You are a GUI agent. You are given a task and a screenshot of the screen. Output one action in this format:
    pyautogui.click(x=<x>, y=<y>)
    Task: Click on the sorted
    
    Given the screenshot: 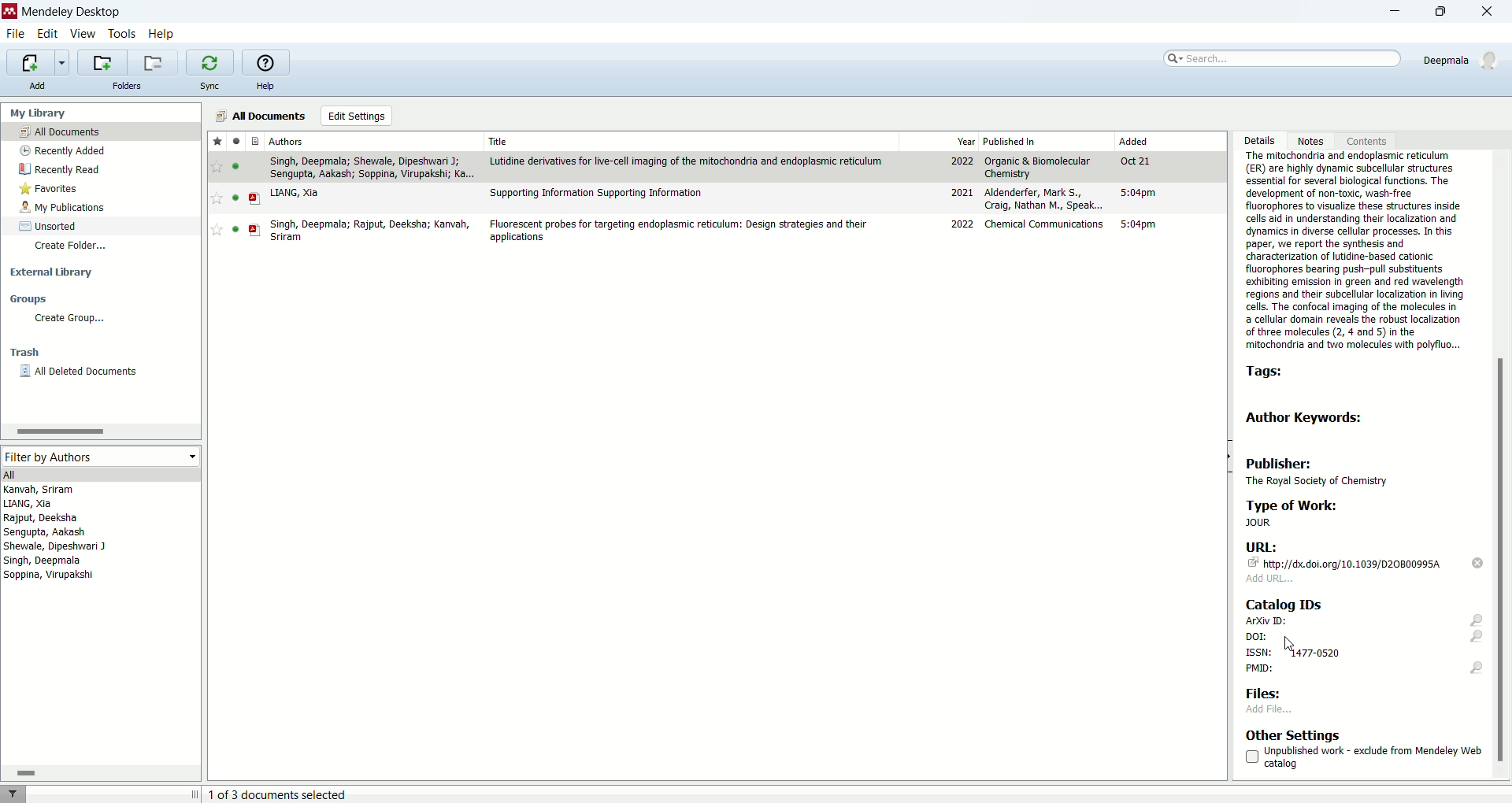 What is the action you would take?
    pyautogui.click(x=49, y=226)
    